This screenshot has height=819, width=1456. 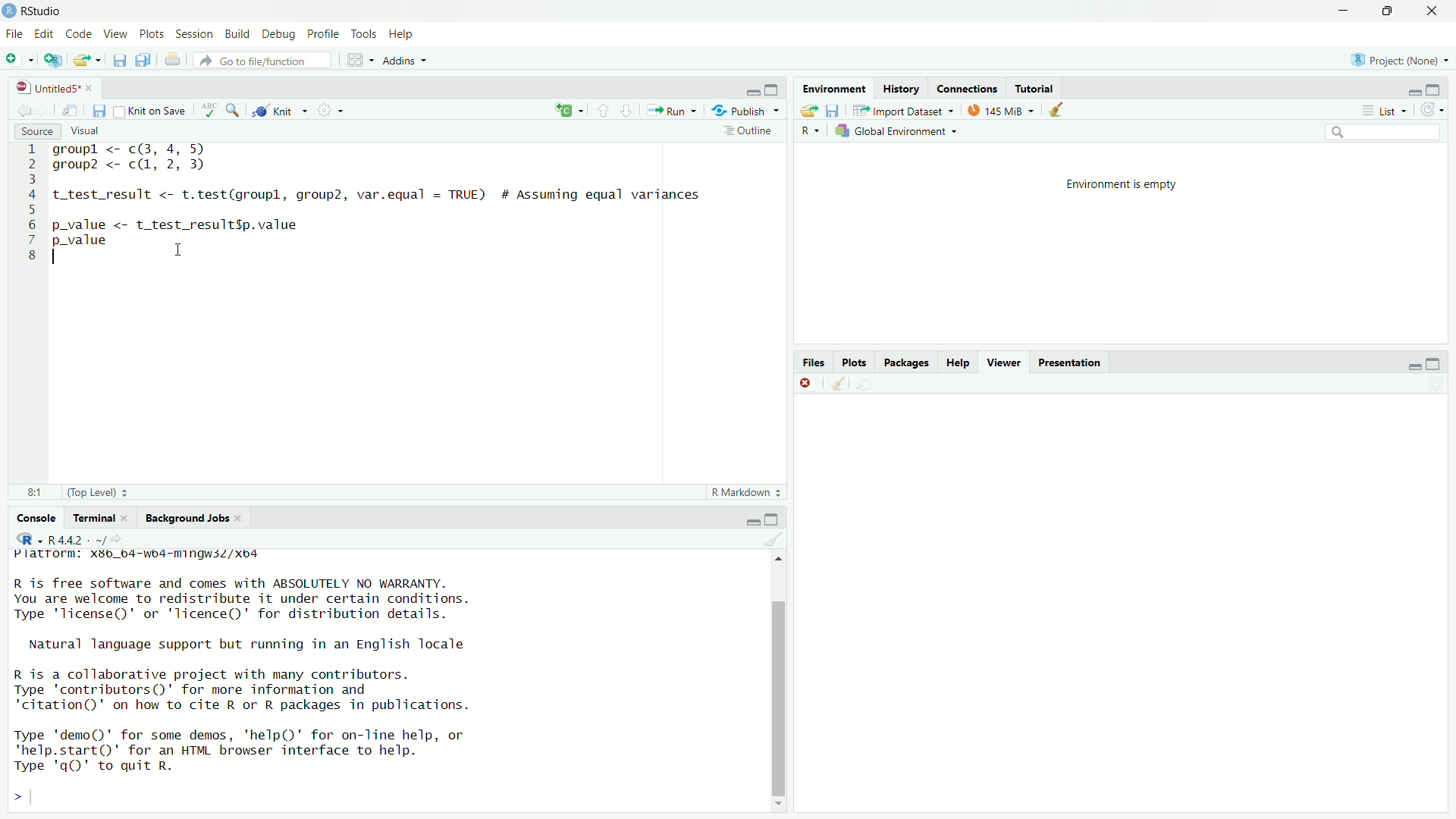 I want to click on scroll bar, so click(x=775, y=679).